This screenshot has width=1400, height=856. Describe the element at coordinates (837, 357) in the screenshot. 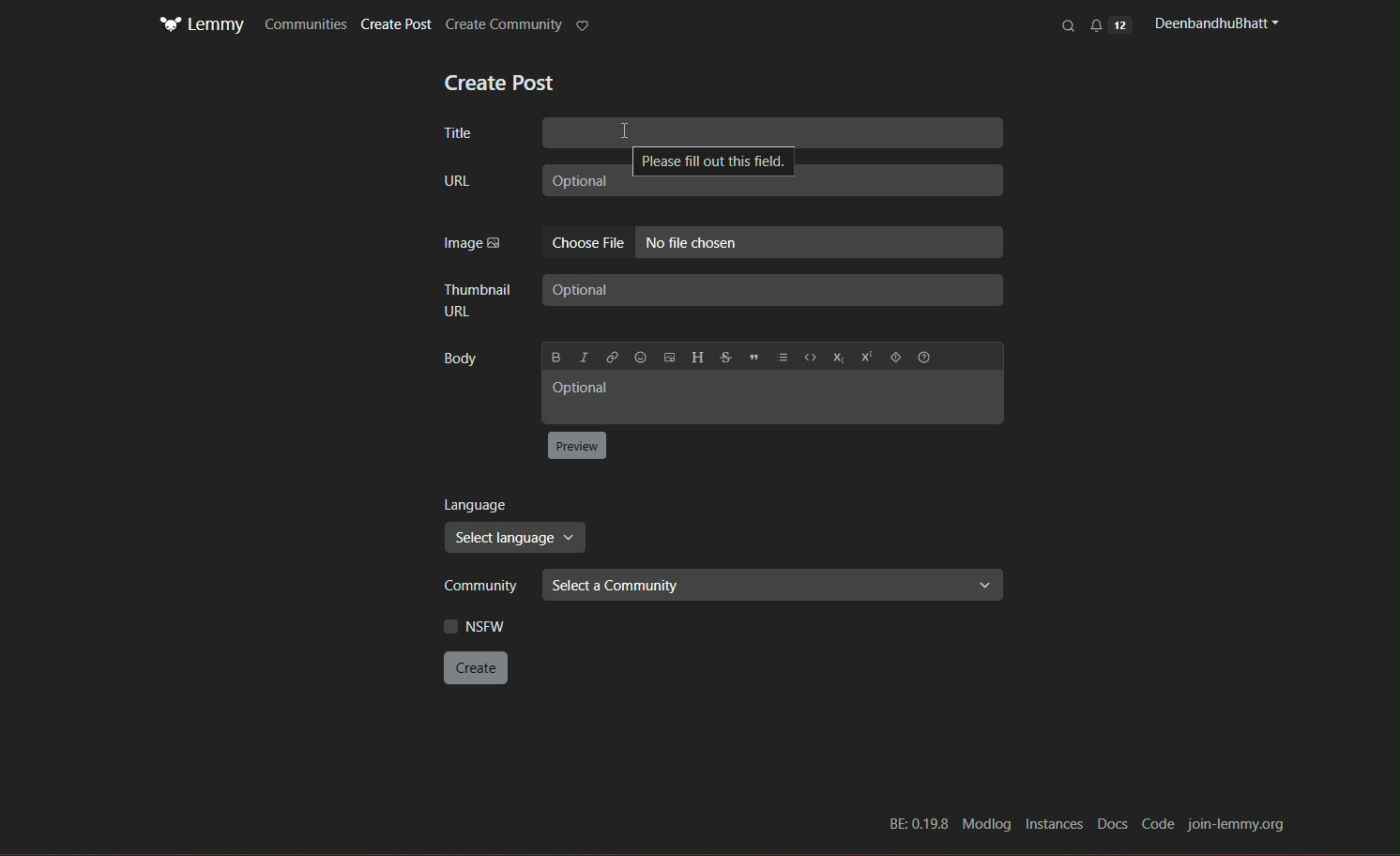

I see `subscript` at that location.